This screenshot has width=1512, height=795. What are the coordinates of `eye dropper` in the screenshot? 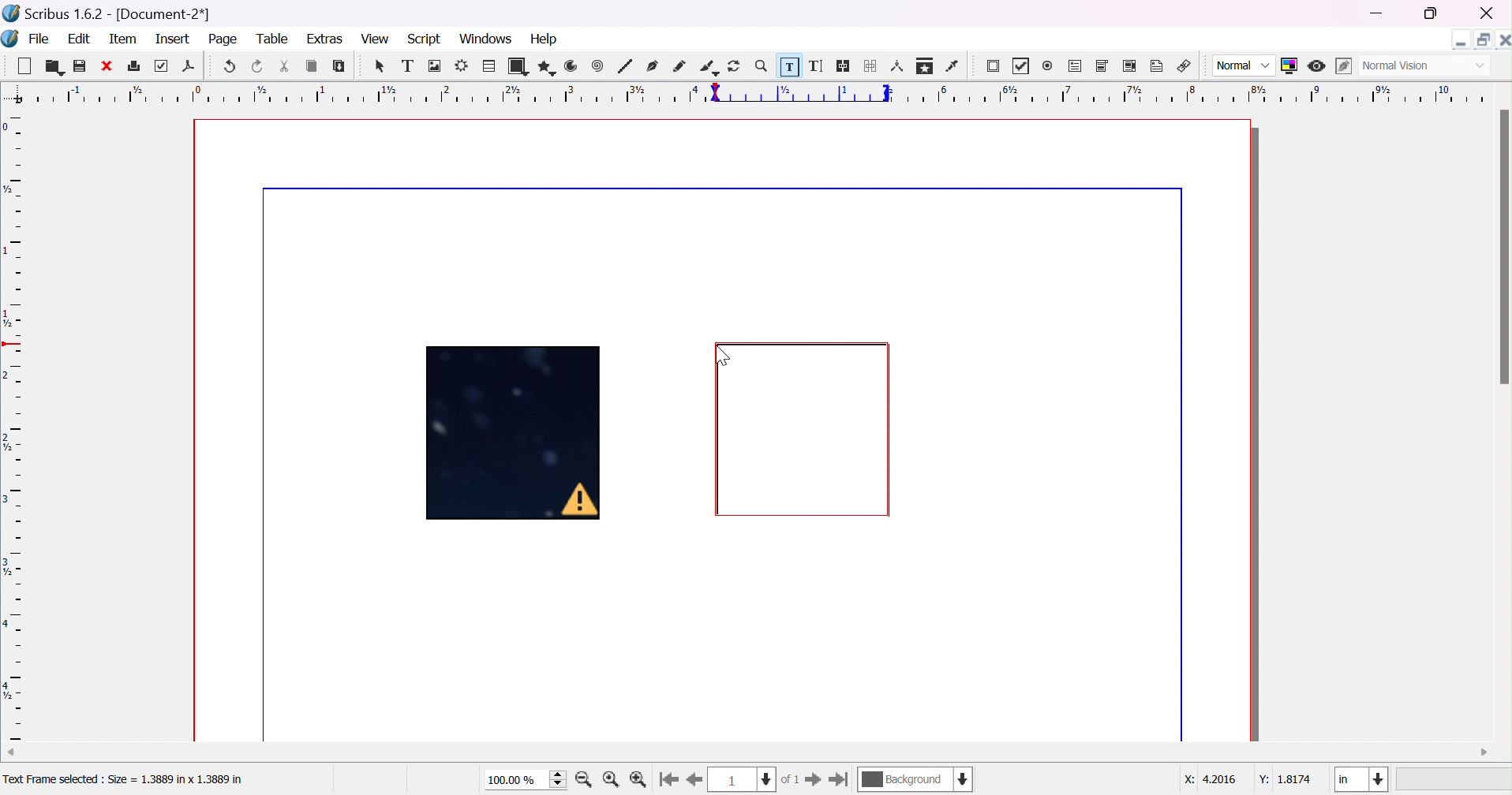 It's located at (955, 66).